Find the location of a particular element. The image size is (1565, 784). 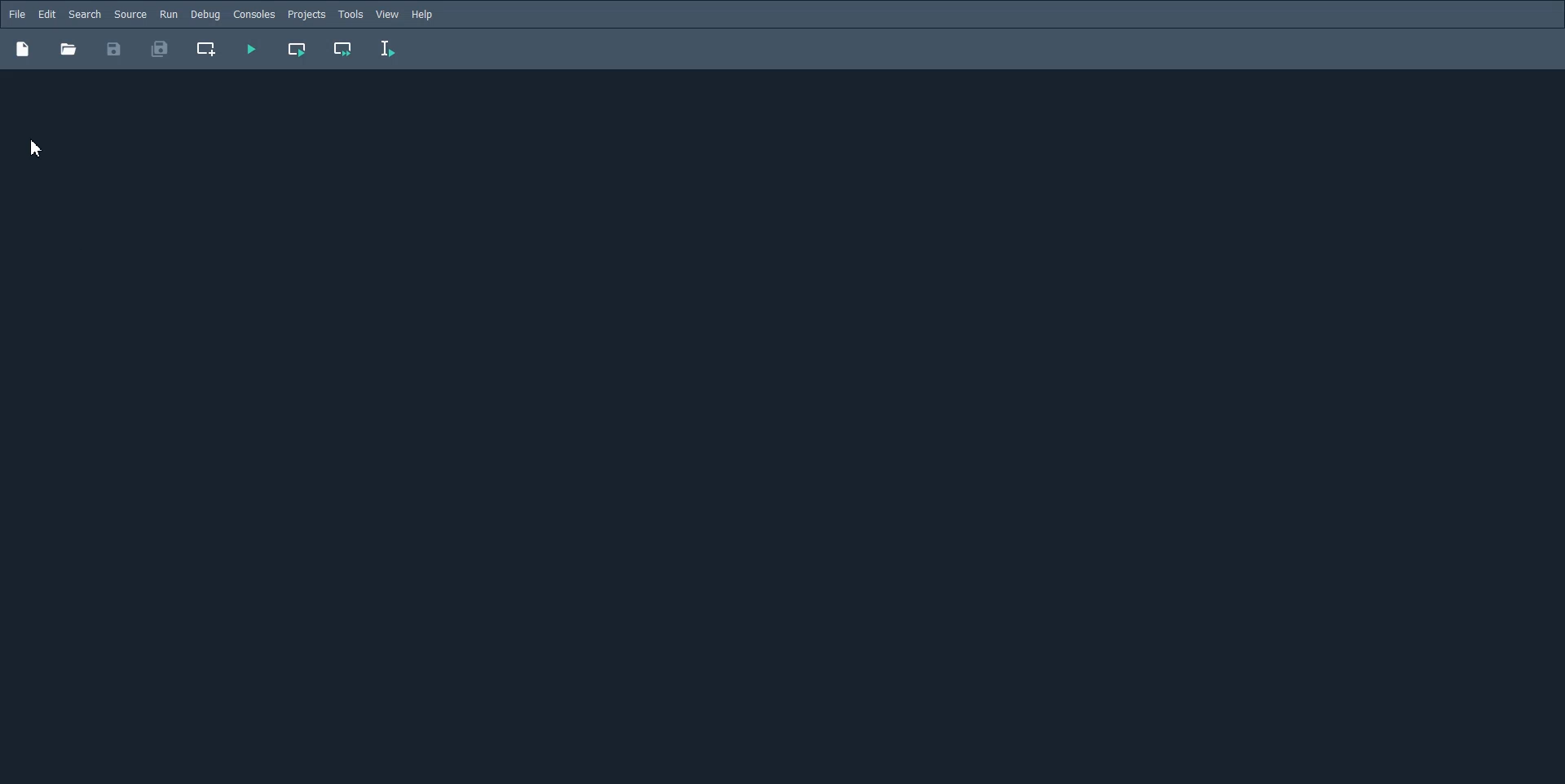

Run Selection is located at coordinates (388, 49).